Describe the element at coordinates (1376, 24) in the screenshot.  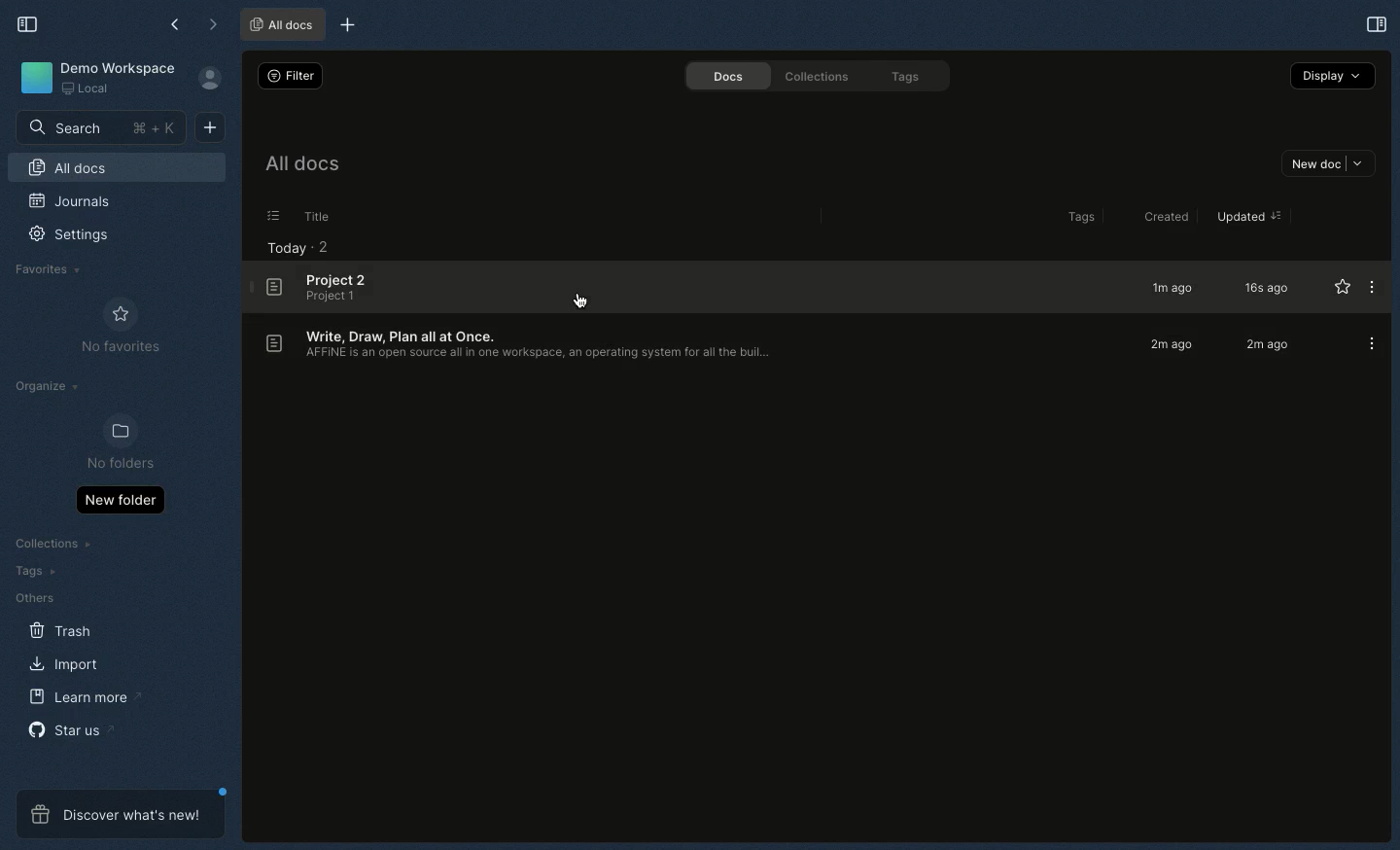
I see `Selection` at that location.